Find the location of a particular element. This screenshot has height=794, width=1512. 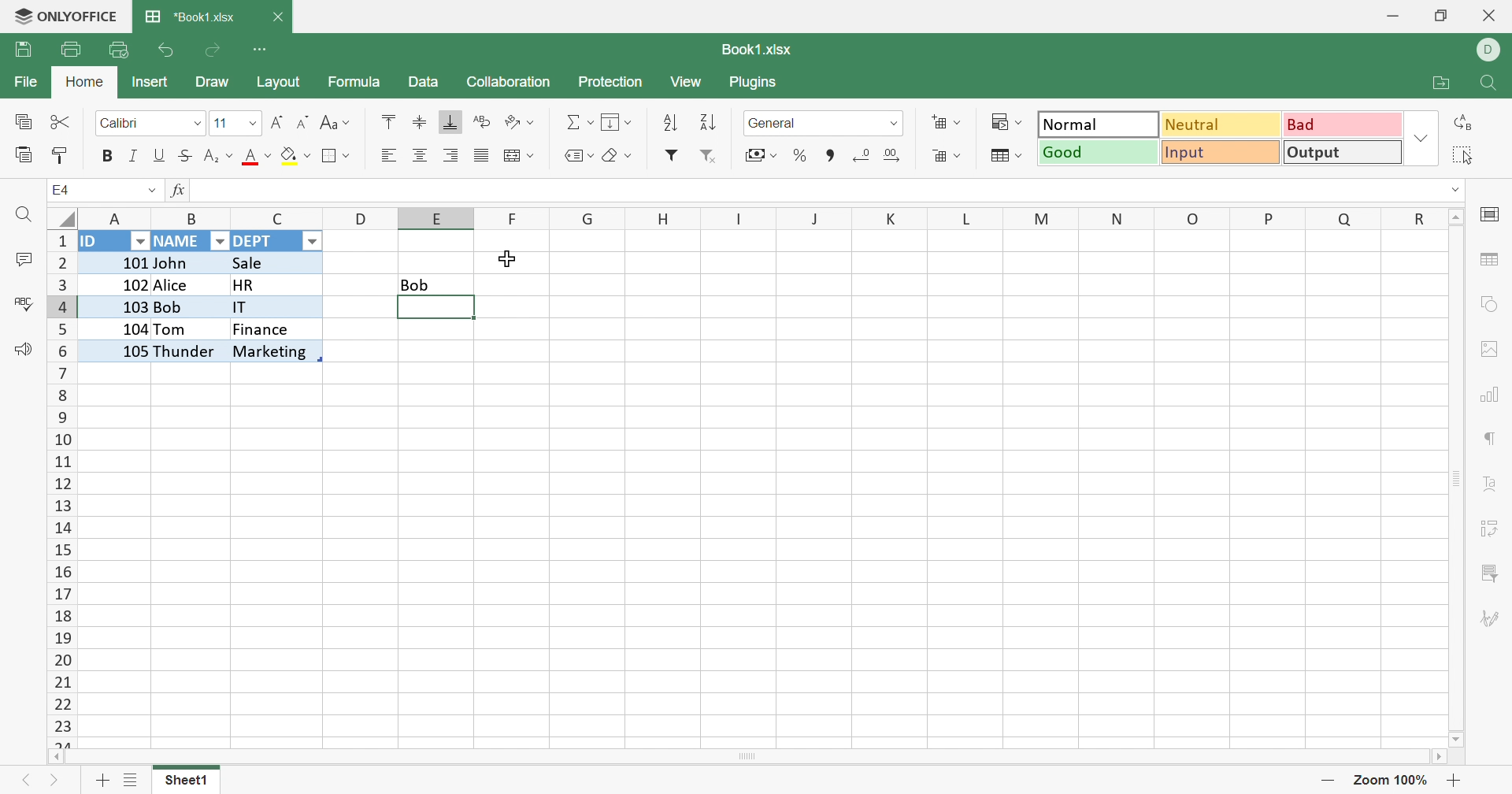

Slicer settings is located at coordinates (1486, 573).